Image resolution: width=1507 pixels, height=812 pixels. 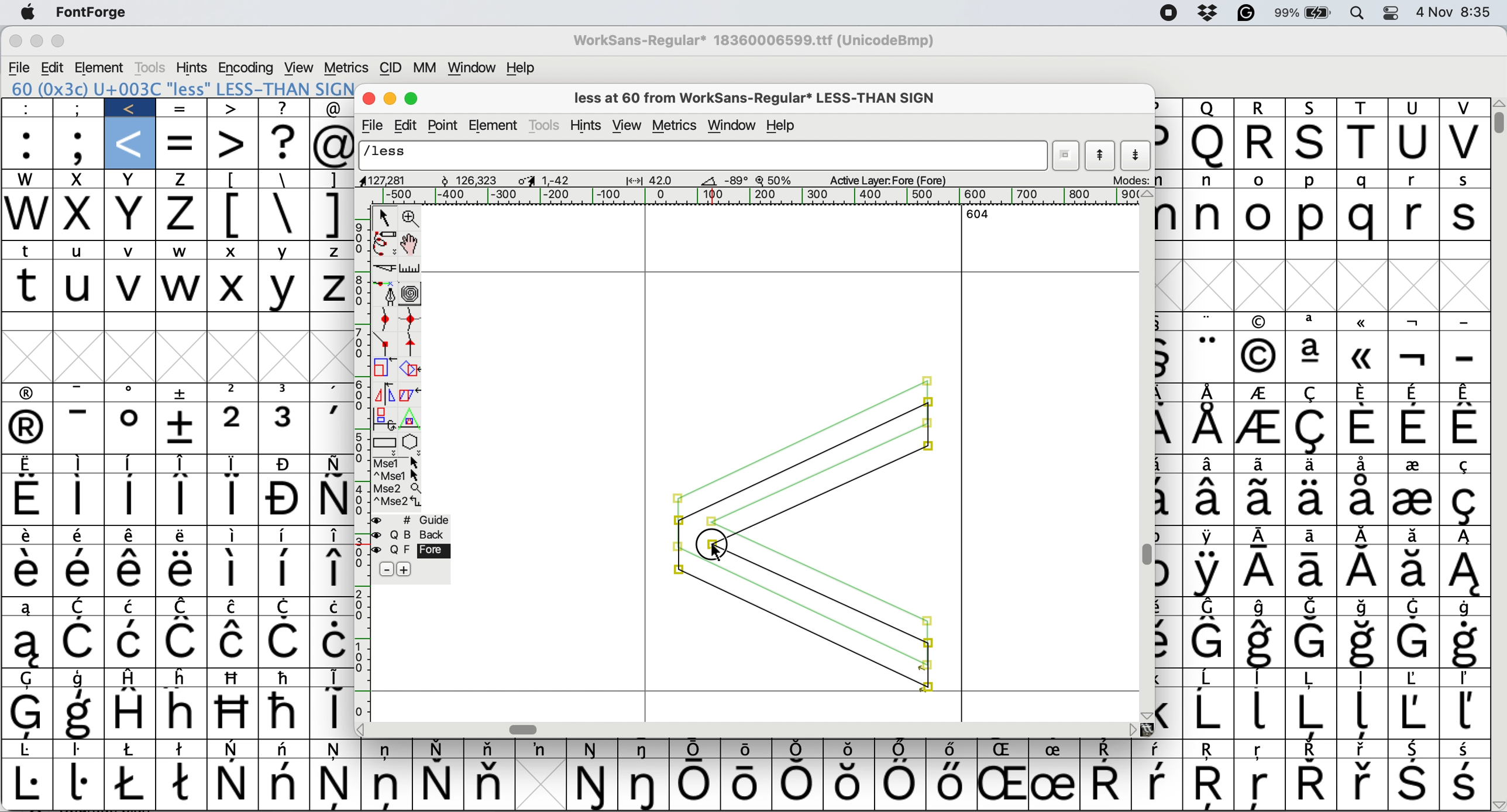 I want to click on [, so click(x=235, y=180).